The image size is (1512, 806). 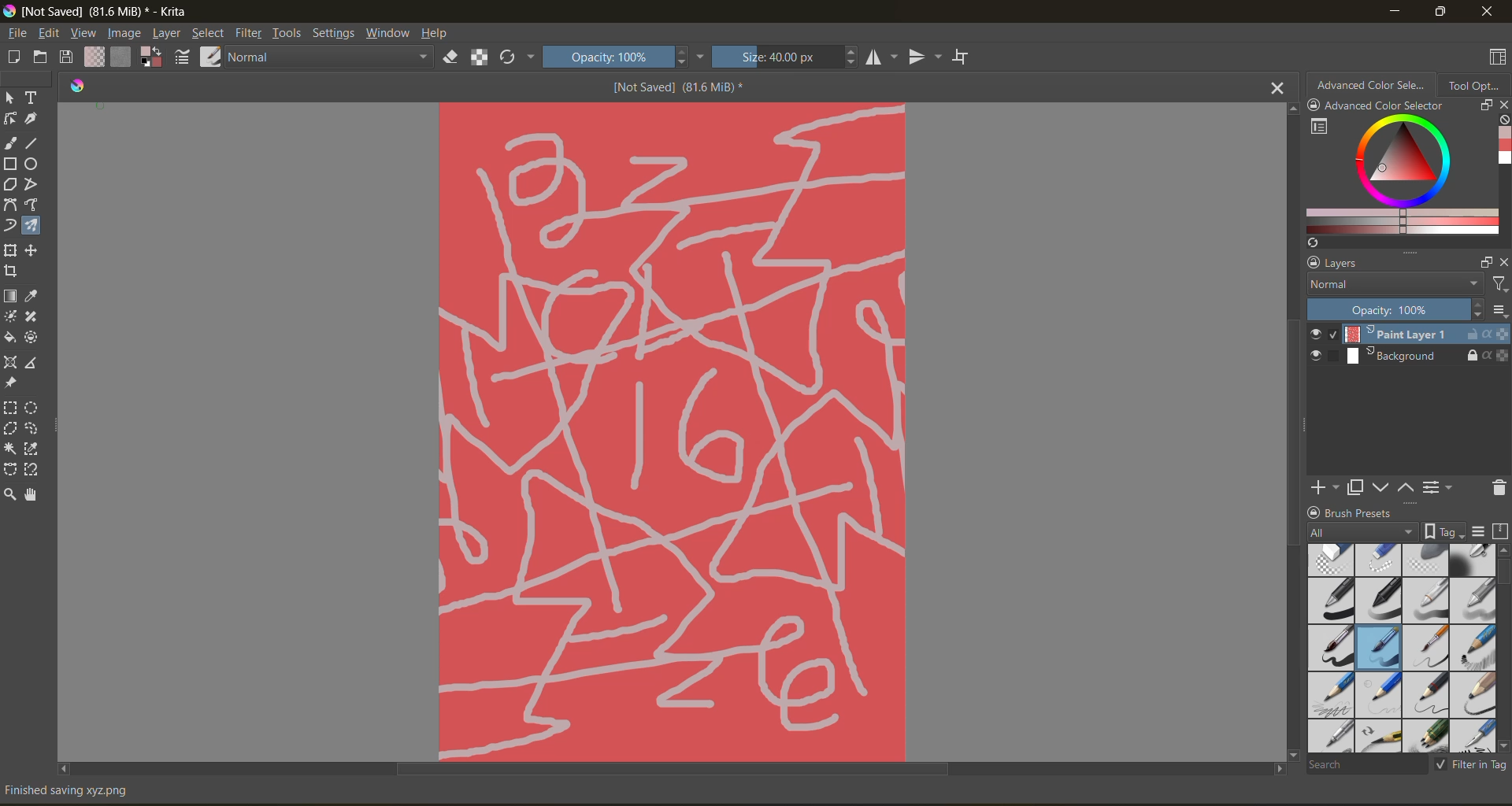 I want to click on add, so click(x=1322, y=486).